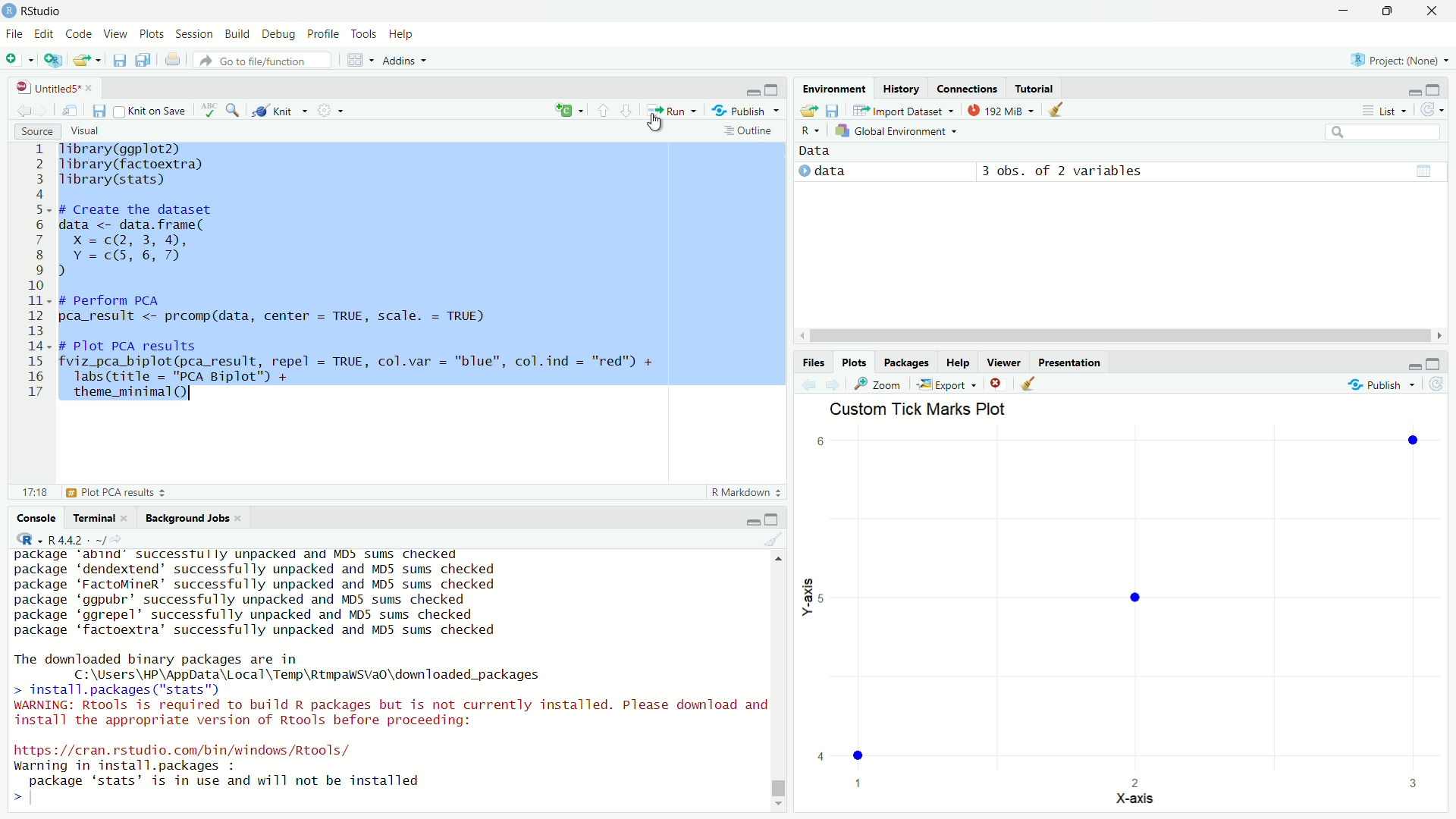 The height and width of the screenshot is (819, 1456). I want to click on R language version - 4.4.2, so click(82, 539).